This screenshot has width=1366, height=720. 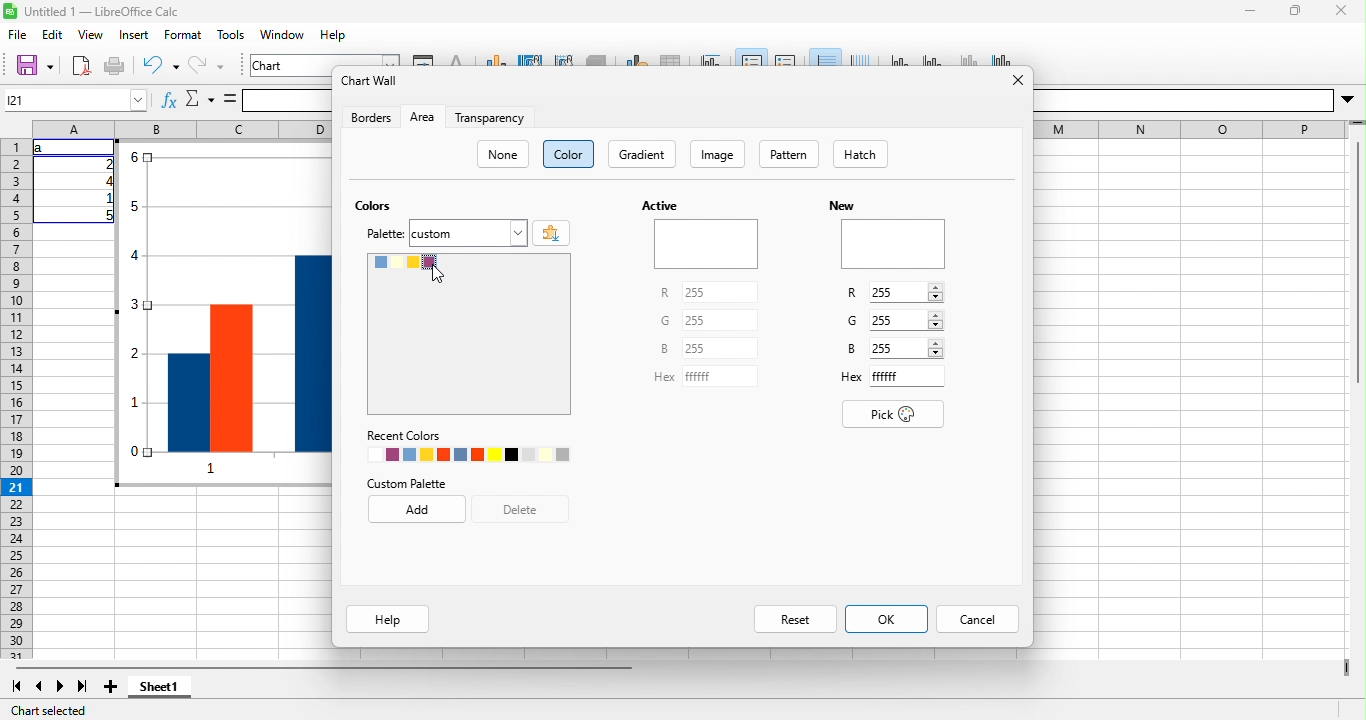 I want to click on last sheet, so click(x=84, y=686).